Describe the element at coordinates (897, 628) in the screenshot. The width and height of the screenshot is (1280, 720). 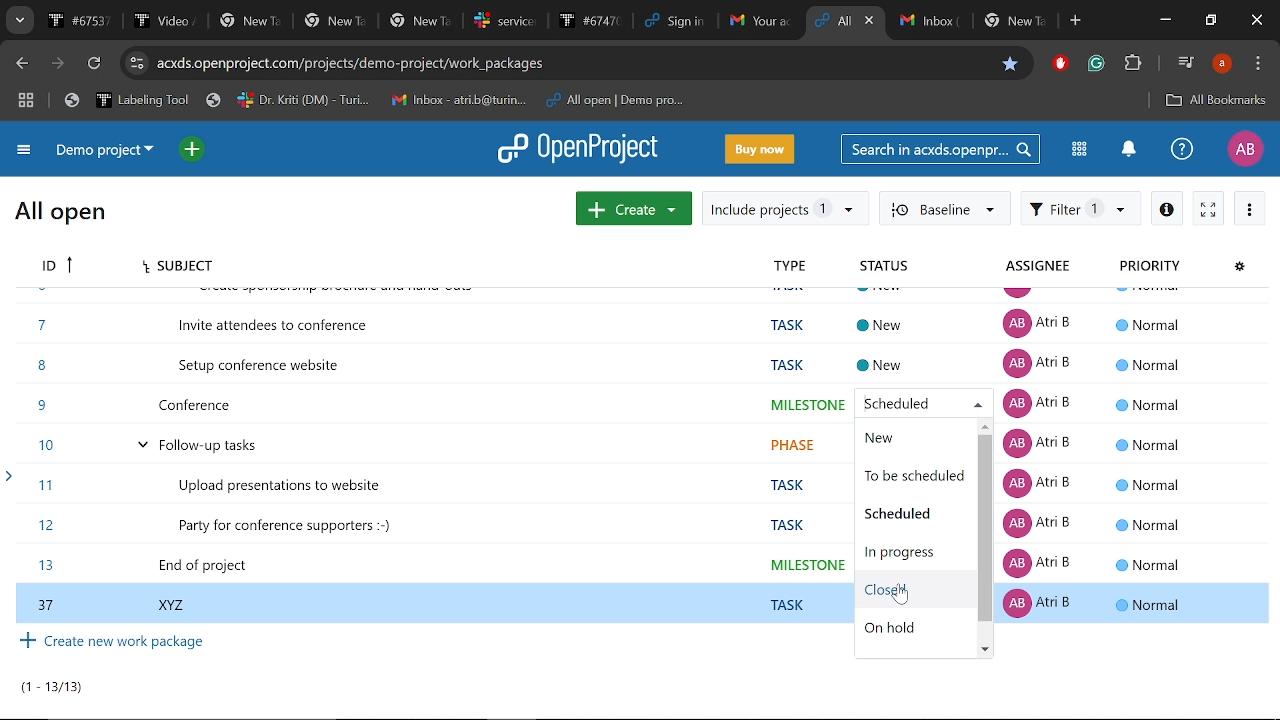
I see `Project status "On Hold"` at that location.